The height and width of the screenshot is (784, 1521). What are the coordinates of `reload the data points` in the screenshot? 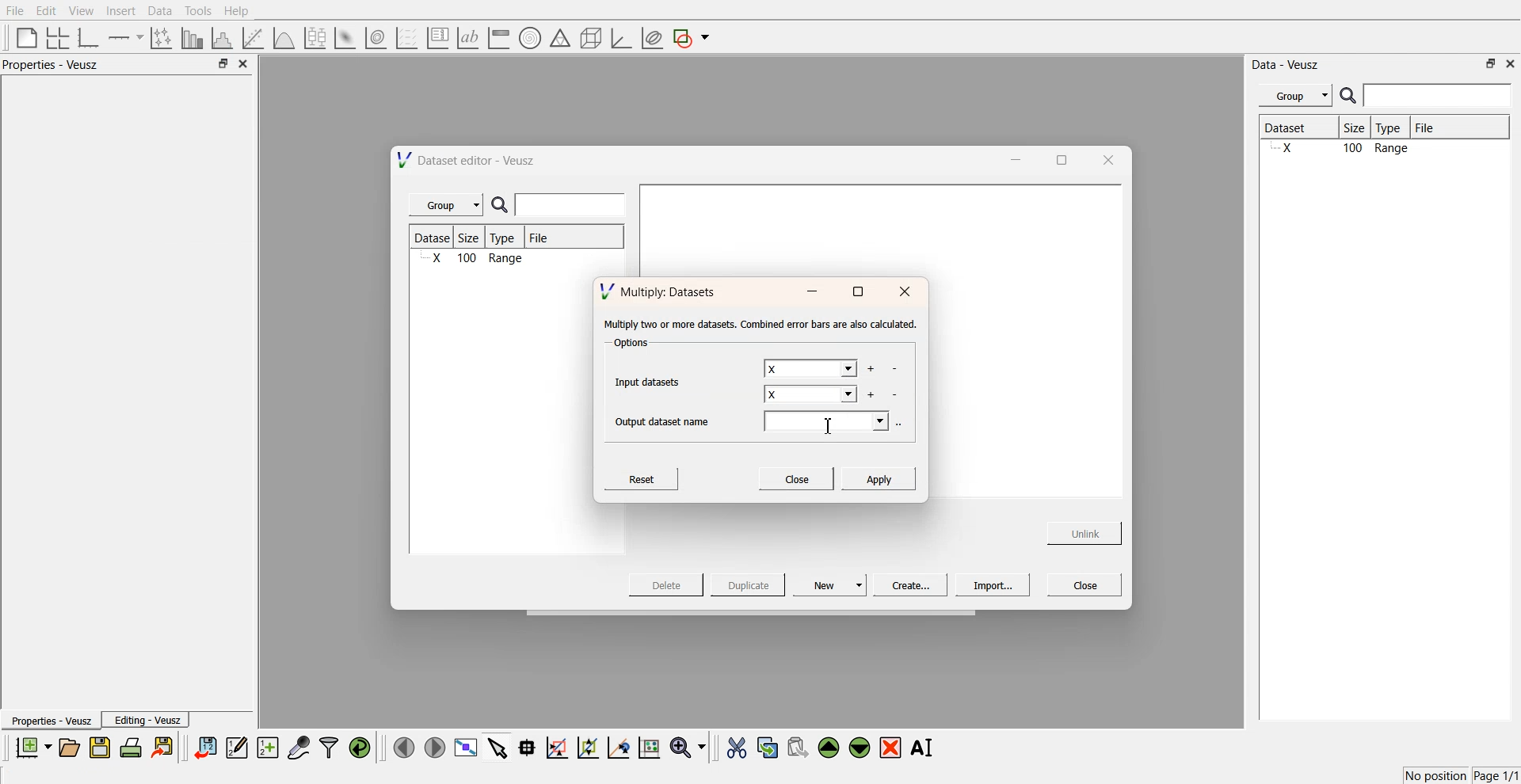 It's located at (360, 748).